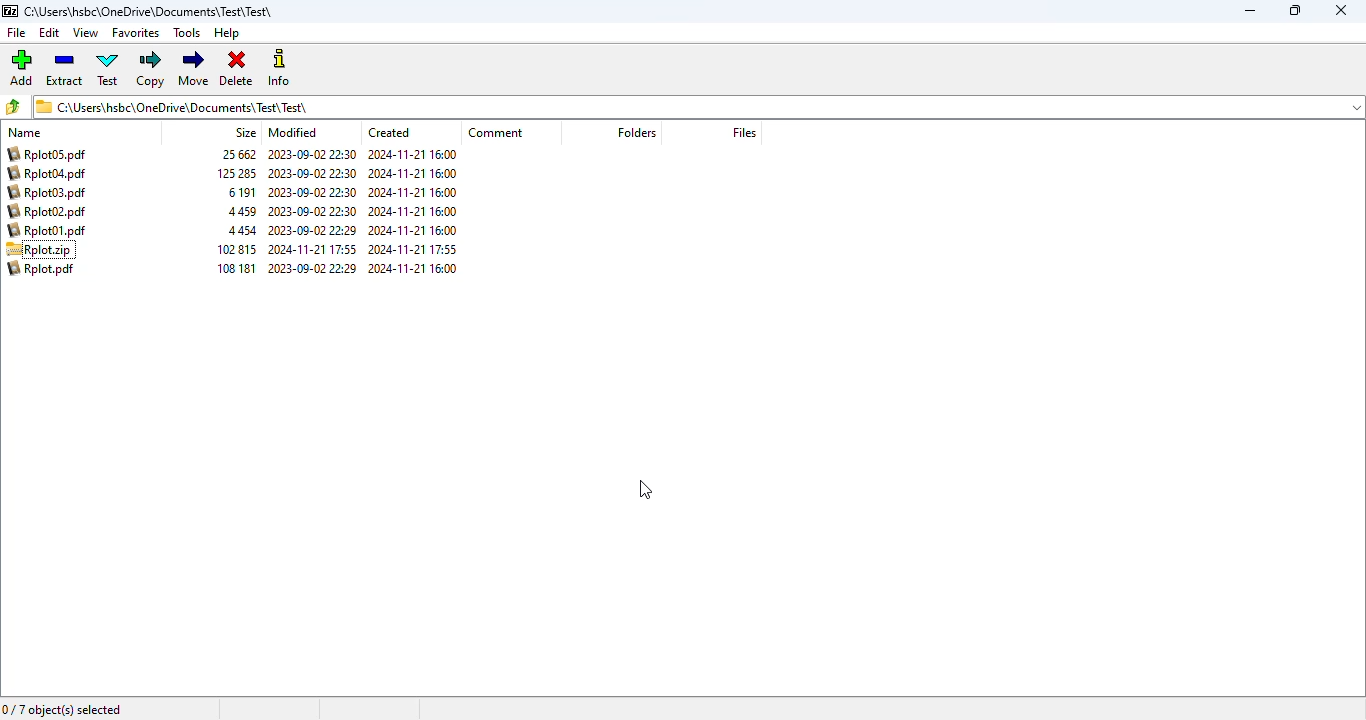  Describe the element at coordinates (108, 68) in the screenshot. I see `test` at that location.